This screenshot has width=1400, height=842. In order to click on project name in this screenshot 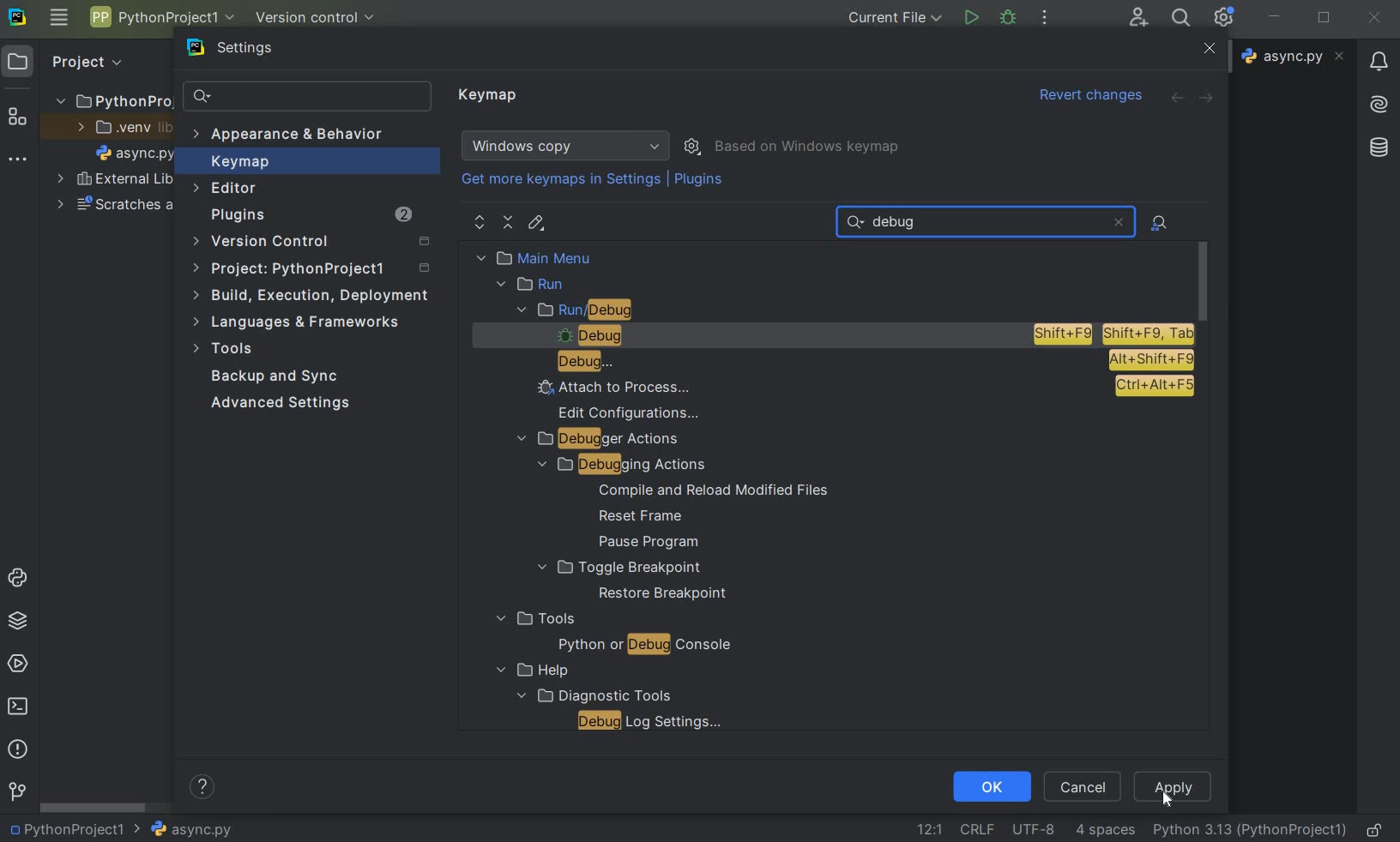, I will do `click(160, 17)`.